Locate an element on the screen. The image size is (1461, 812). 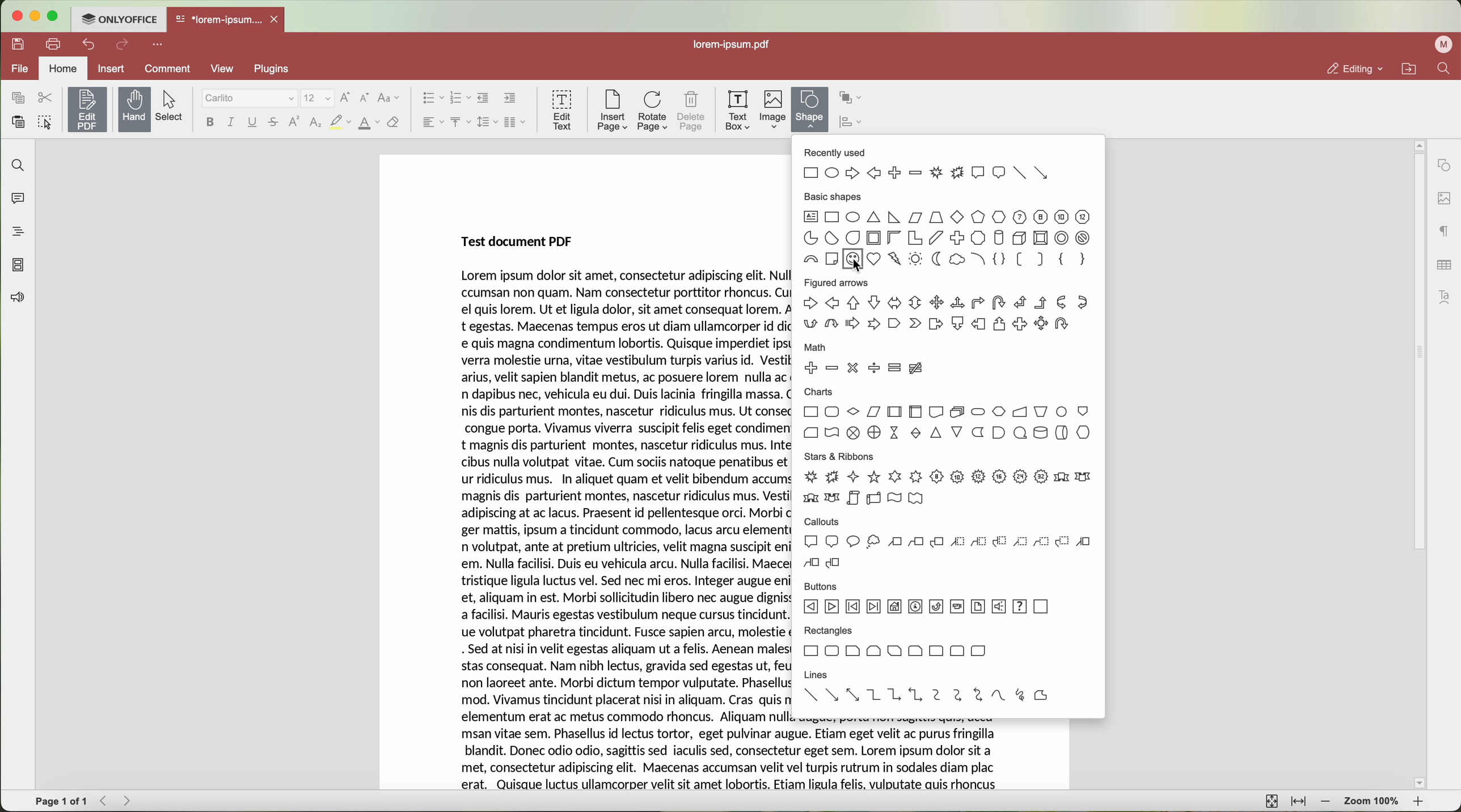
image is located at coordinates (773, 110).